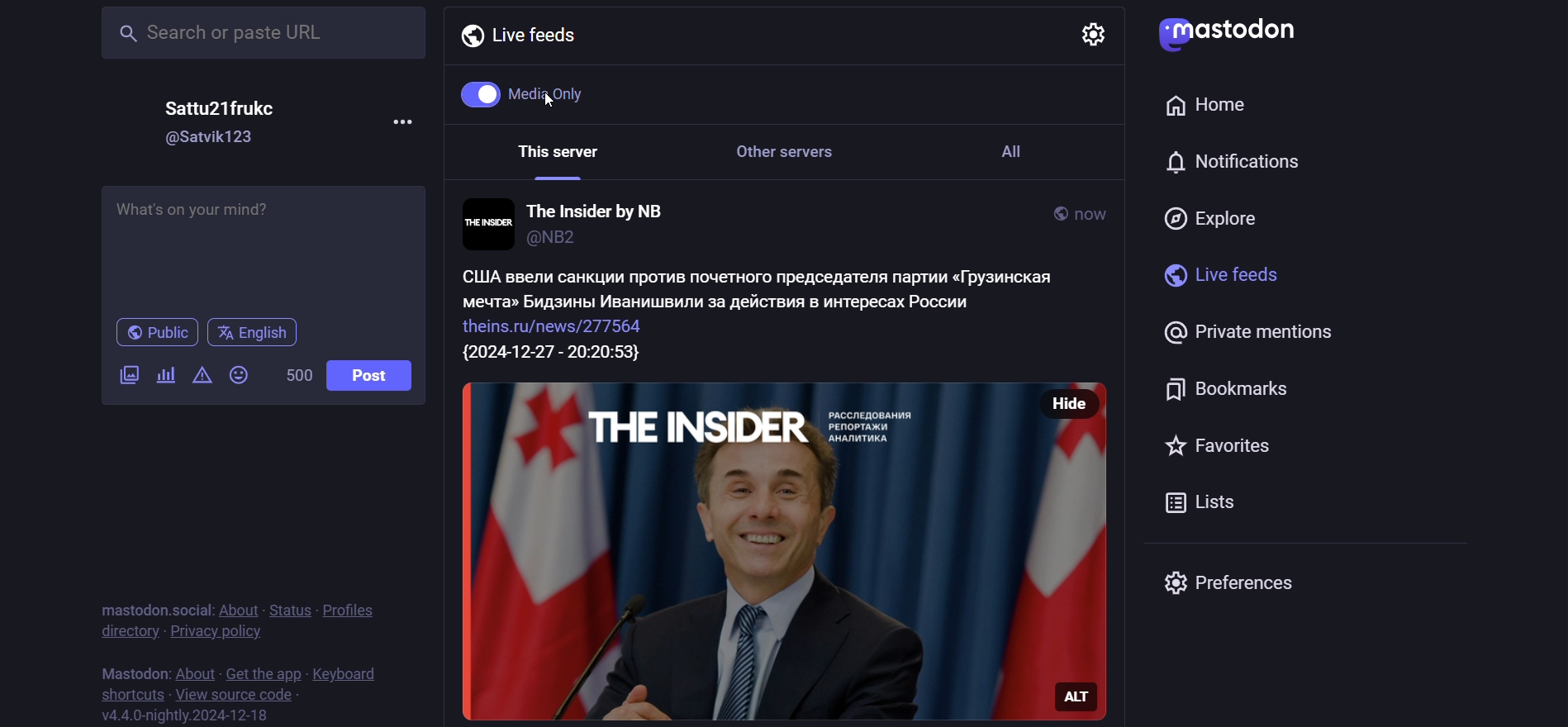 This screenshot has height=727, width=1568. Describe the element at coordinates (260, 36) in the screenshot. I see `search` at that location.